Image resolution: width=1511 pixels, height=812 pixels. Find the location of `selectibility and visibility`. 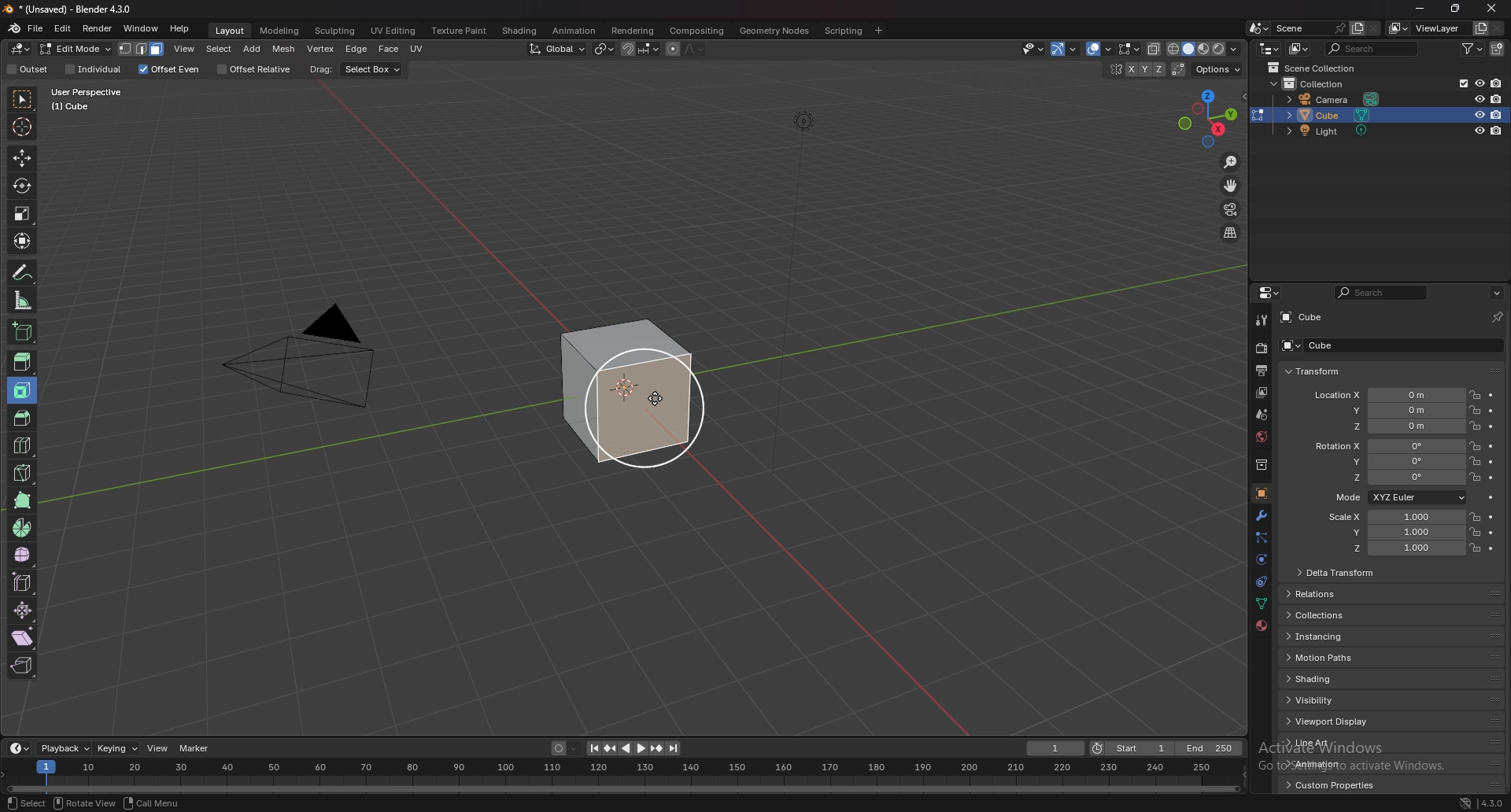

selectibility and visibility is located at coordinates (1033, 49).